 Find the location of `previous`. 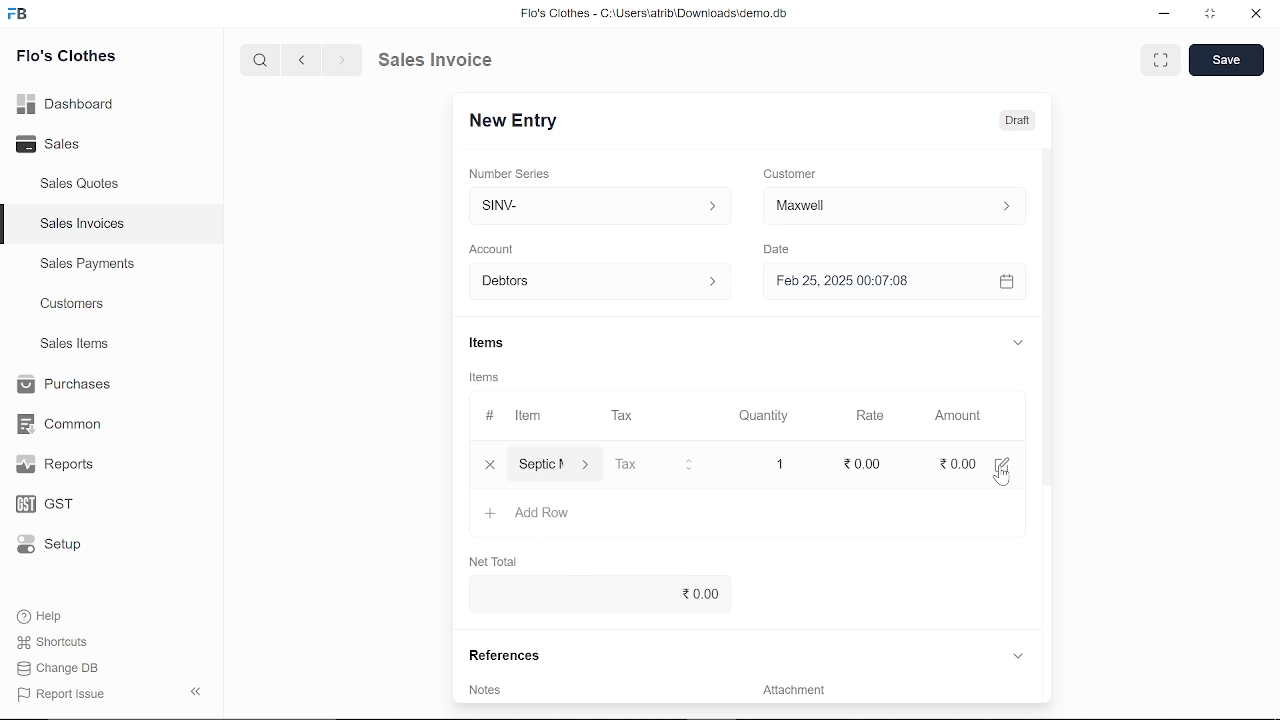

previous is located at coordinates (303, 60).